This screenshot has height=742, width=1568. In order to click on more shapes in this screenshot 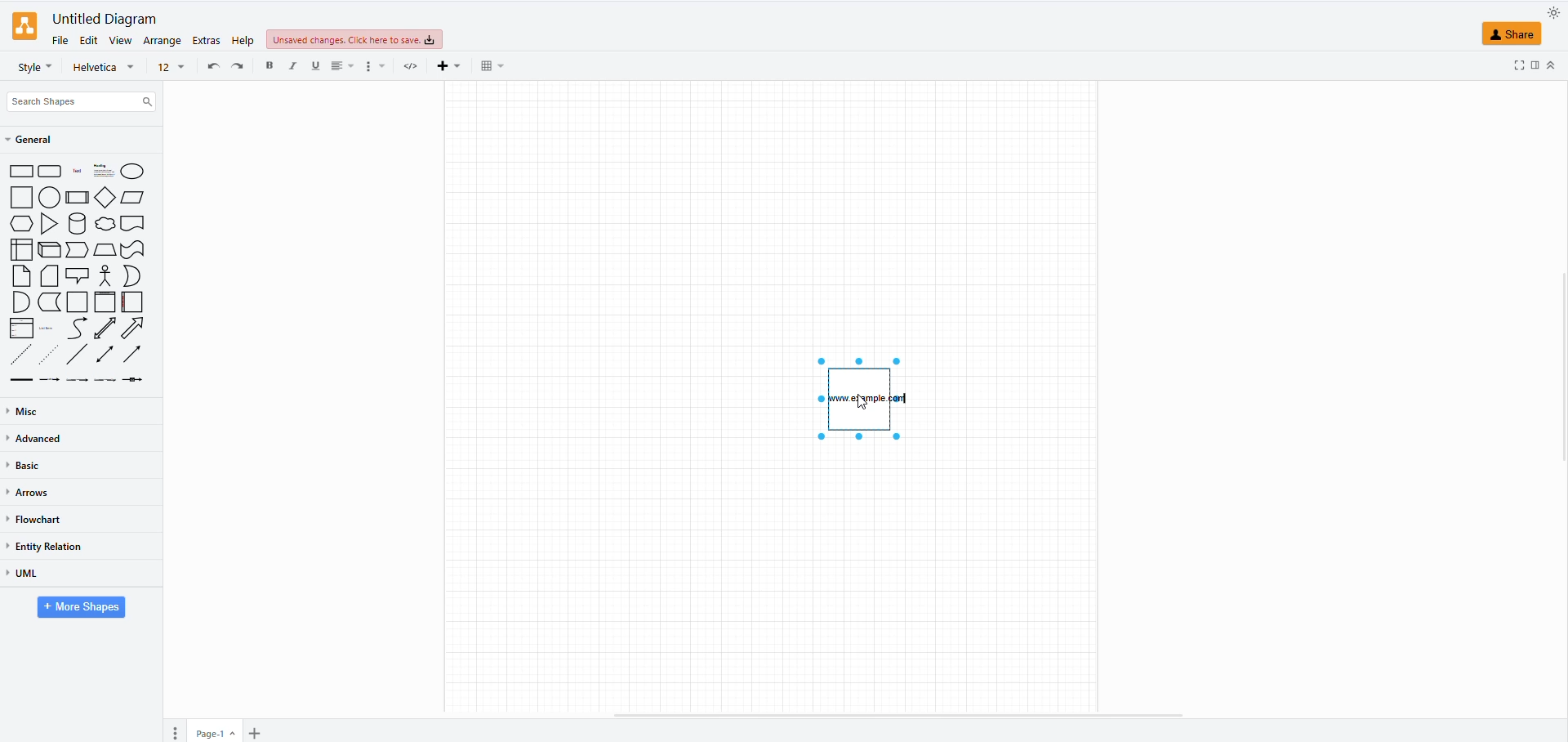, I will do `click(78, 608)`.